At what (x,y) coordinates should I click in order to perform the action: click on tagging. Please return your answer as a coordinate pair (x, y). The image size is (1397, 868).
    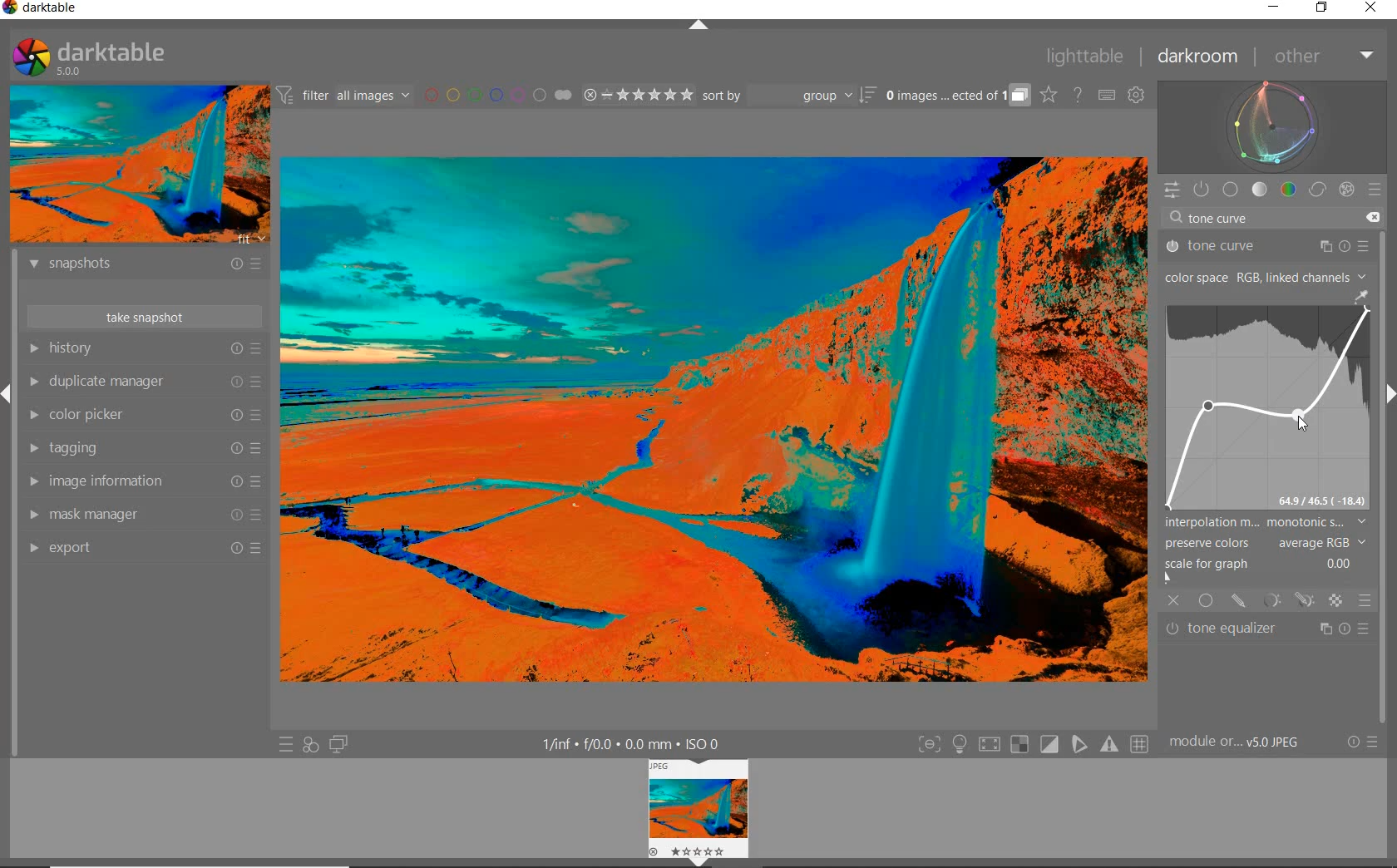
    Looking at the image, I should click on (144, 448).